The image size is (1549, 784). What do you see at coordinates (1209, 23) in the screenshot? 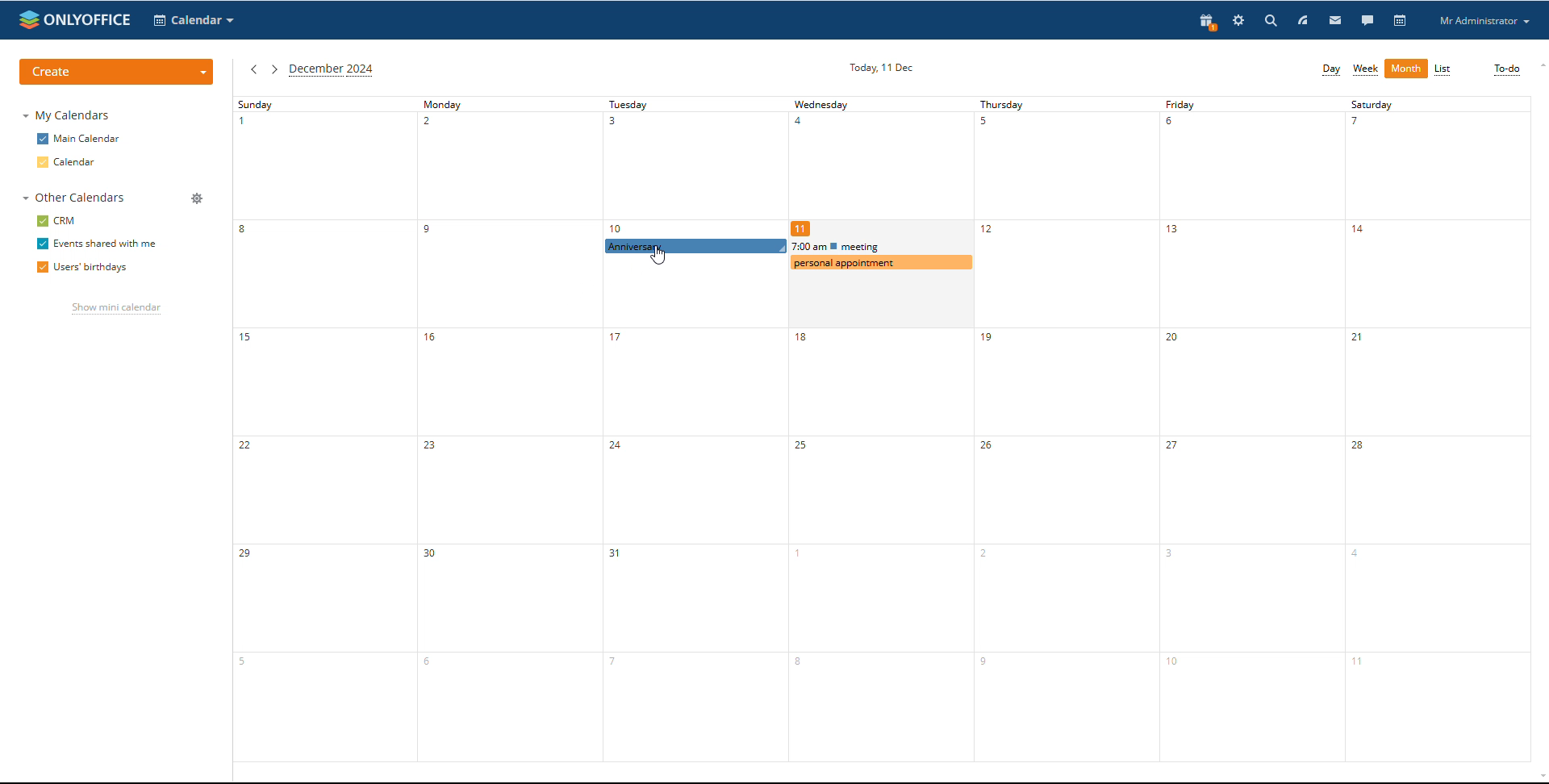
I see `present` at bounding box center [1209, 23].